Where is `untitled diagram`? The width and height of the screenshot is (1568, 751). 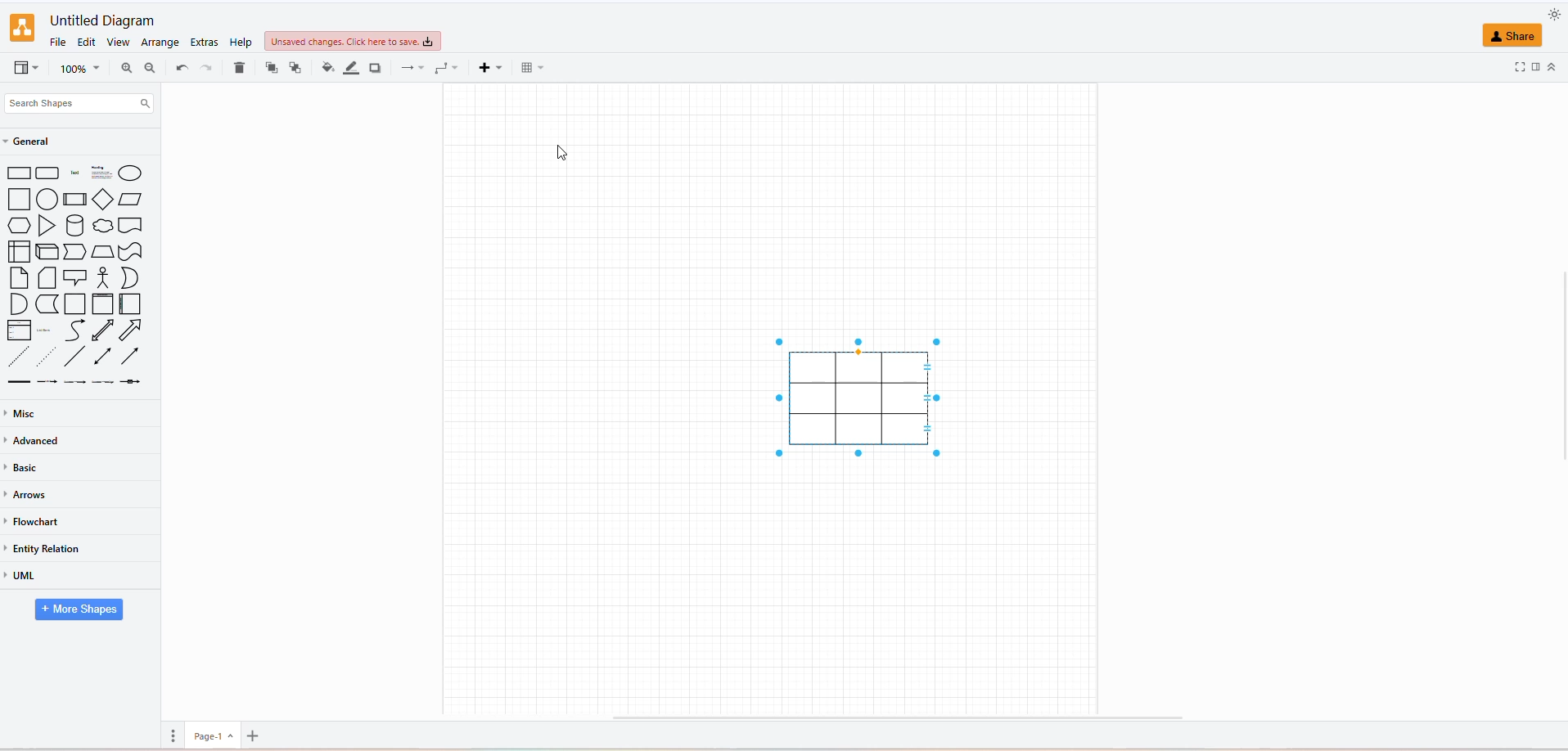 untitled diagram is located at coordinates (102, 21).